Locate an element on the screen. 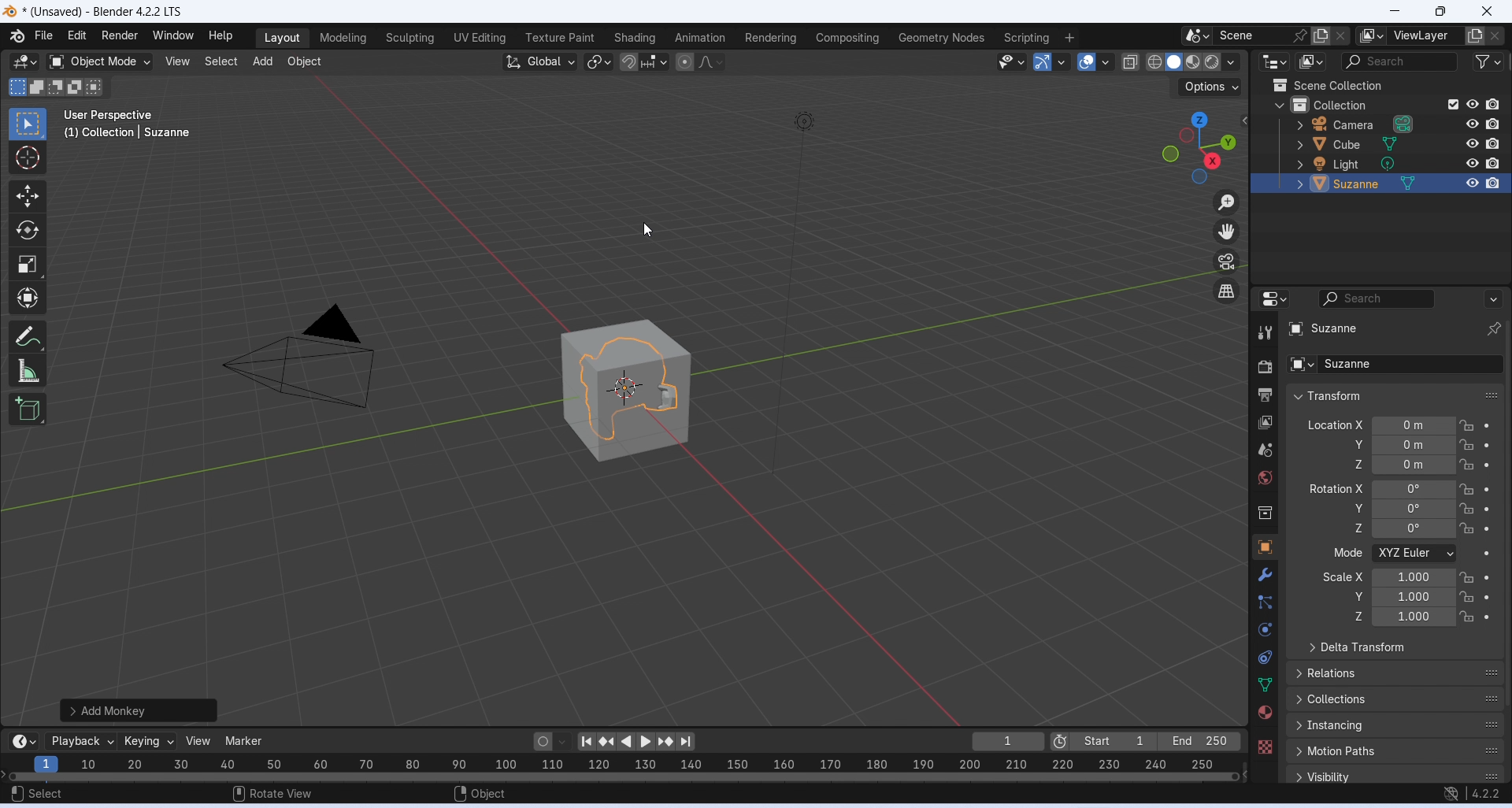 The width and height of the screenshot is (1512, 808). Modes is located at coordinates (57, 87).